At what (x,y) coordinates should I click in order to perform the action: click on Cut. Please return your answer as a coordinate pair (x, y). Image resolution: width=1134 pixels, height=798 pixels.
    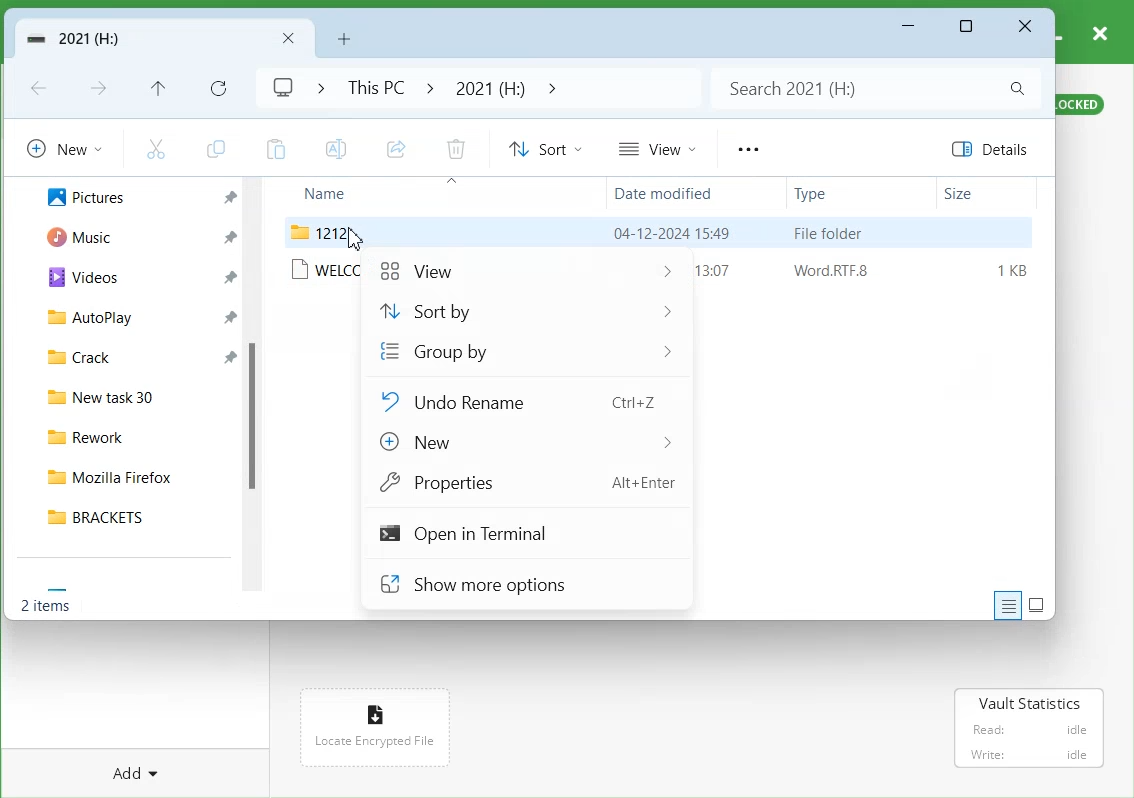
    Looking at the image, I should click on (155, 147).